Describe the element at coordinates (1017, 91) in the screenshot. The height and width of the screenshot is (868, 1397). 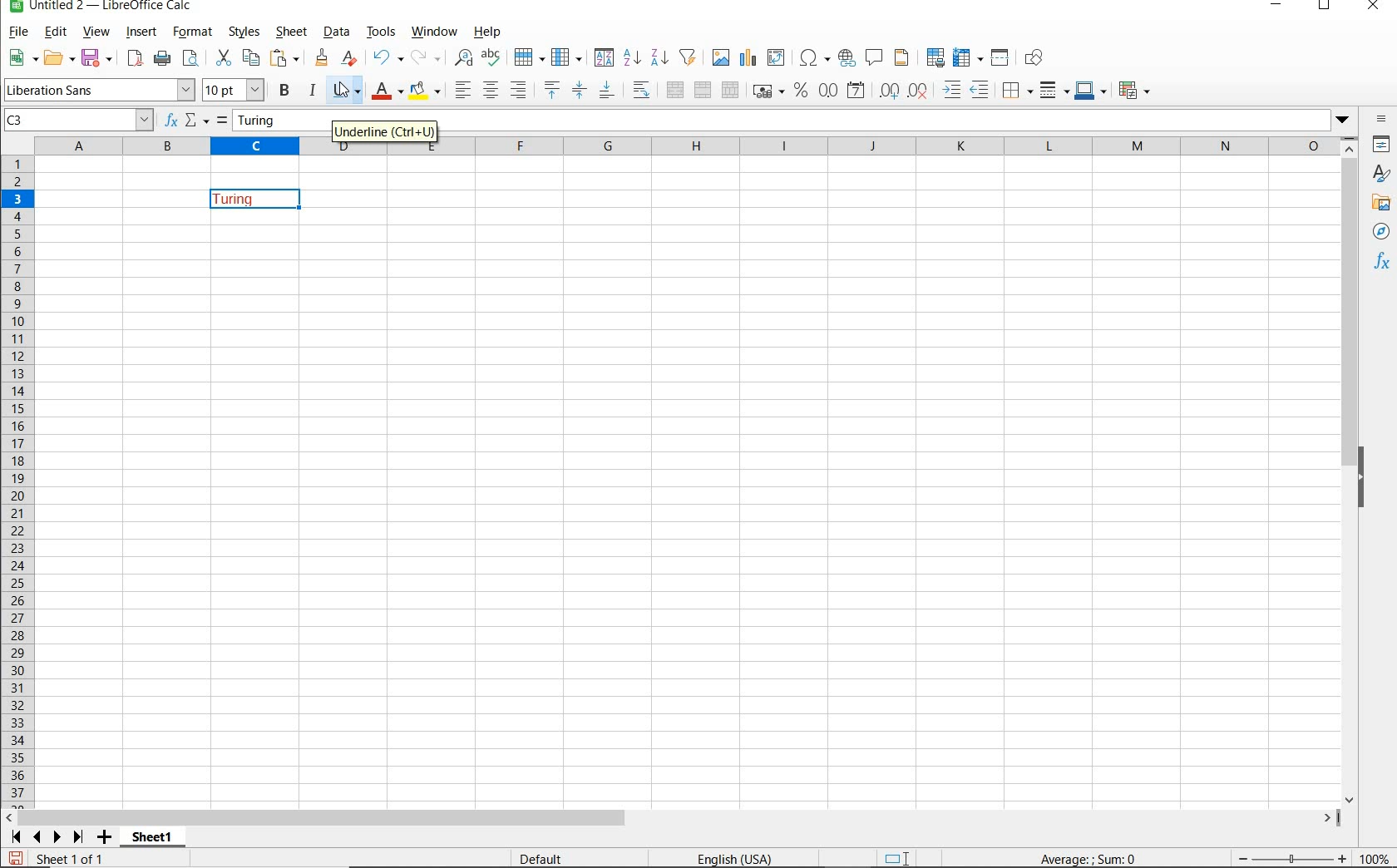
I see `BORDERS` at that location.